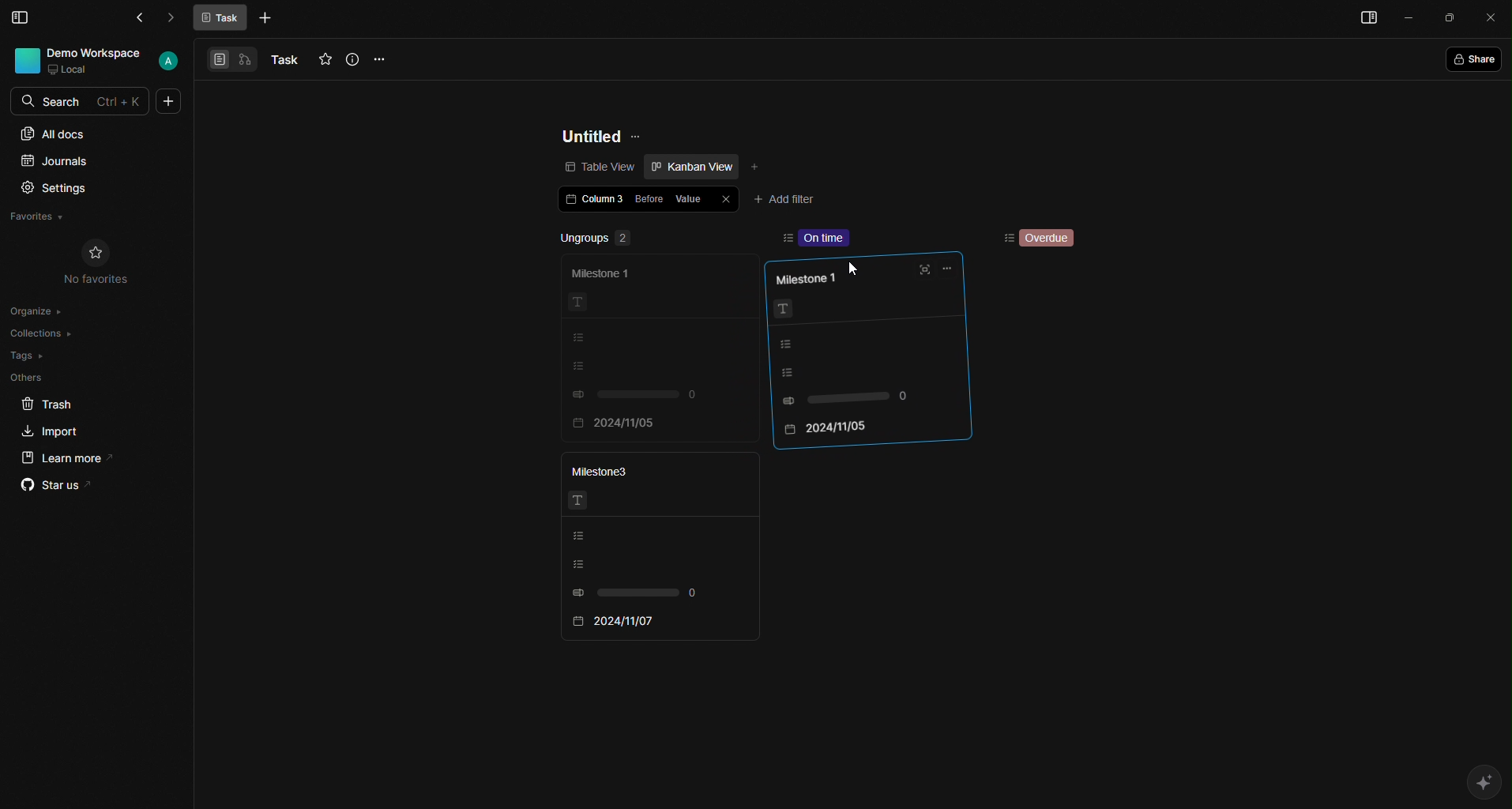  What do you see at coordinates (1364, 20) in the screenshot?
I see `Menu bar` at bounding box center [1364, 20].